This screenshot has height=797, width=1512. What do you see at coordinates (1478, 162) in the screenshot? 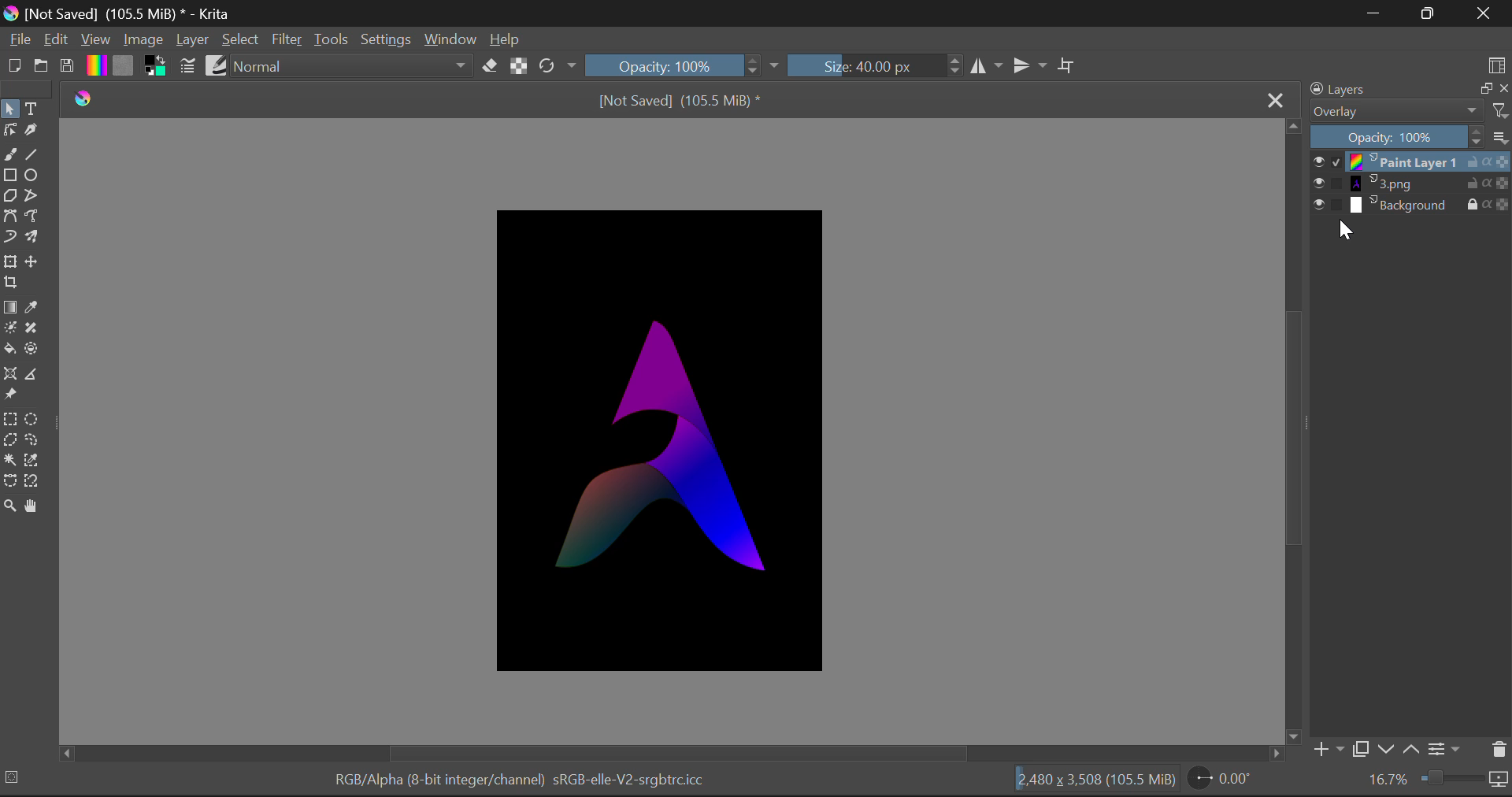
I see `lock layer` at bounding box center [1478, 162].